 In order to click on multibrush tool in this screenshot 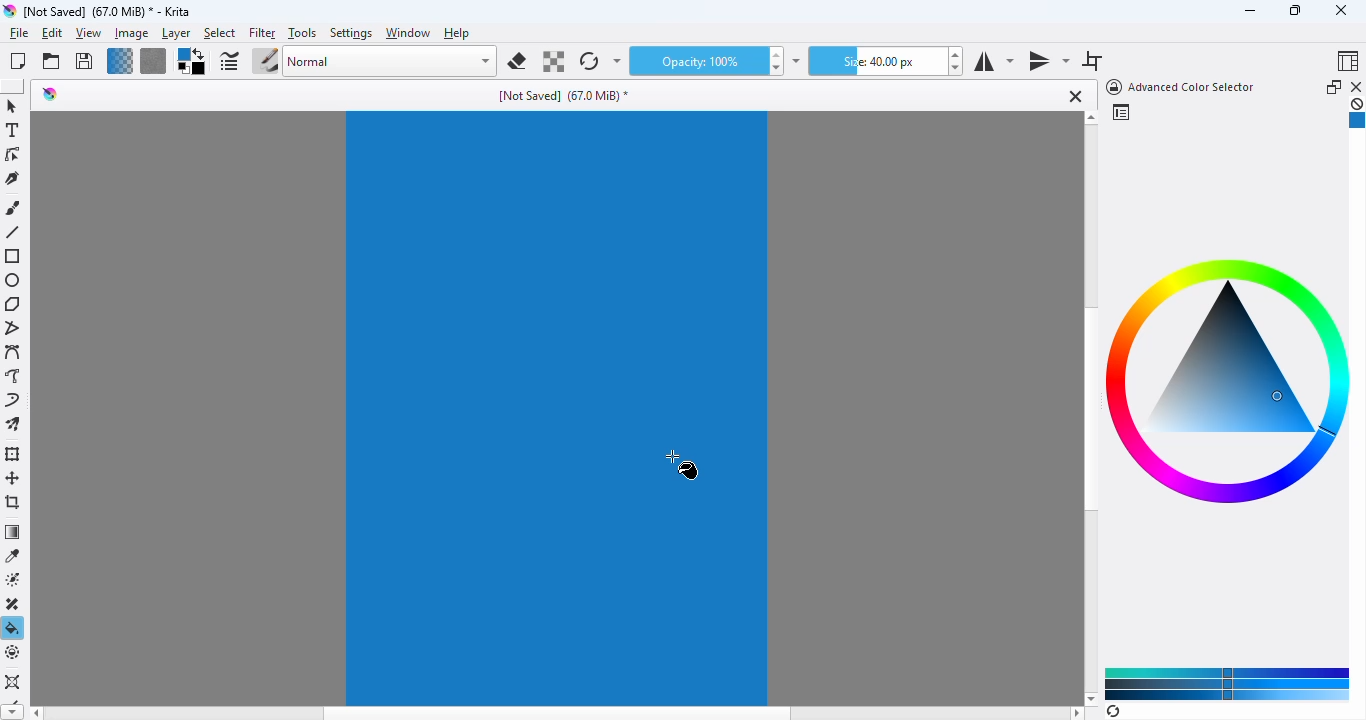, I will do `click(13, 424)`.